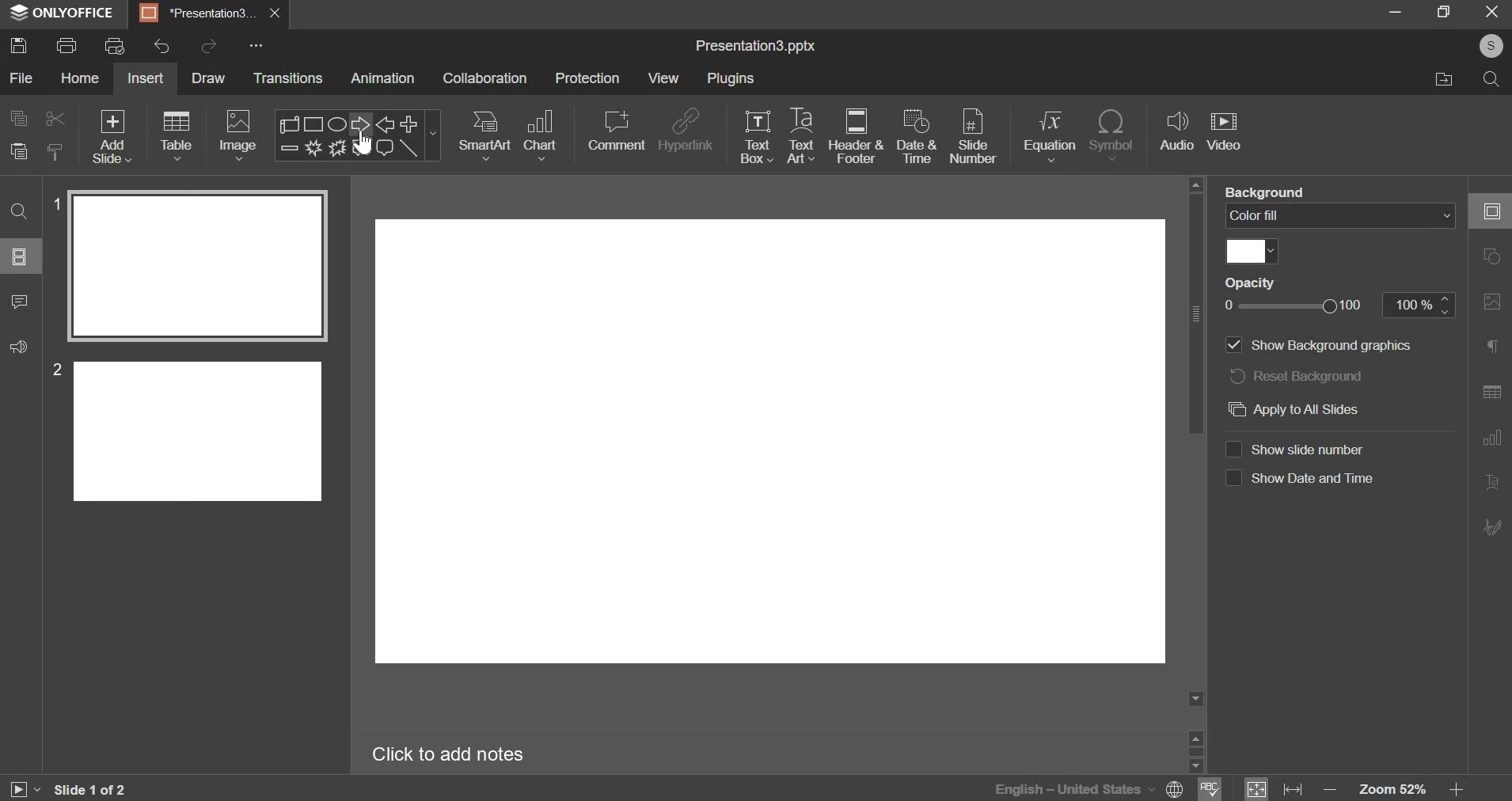 The image size is (1512, 801). Describe the element at coordinates (56, 150) in the screenshot. I see `paste` at that location.